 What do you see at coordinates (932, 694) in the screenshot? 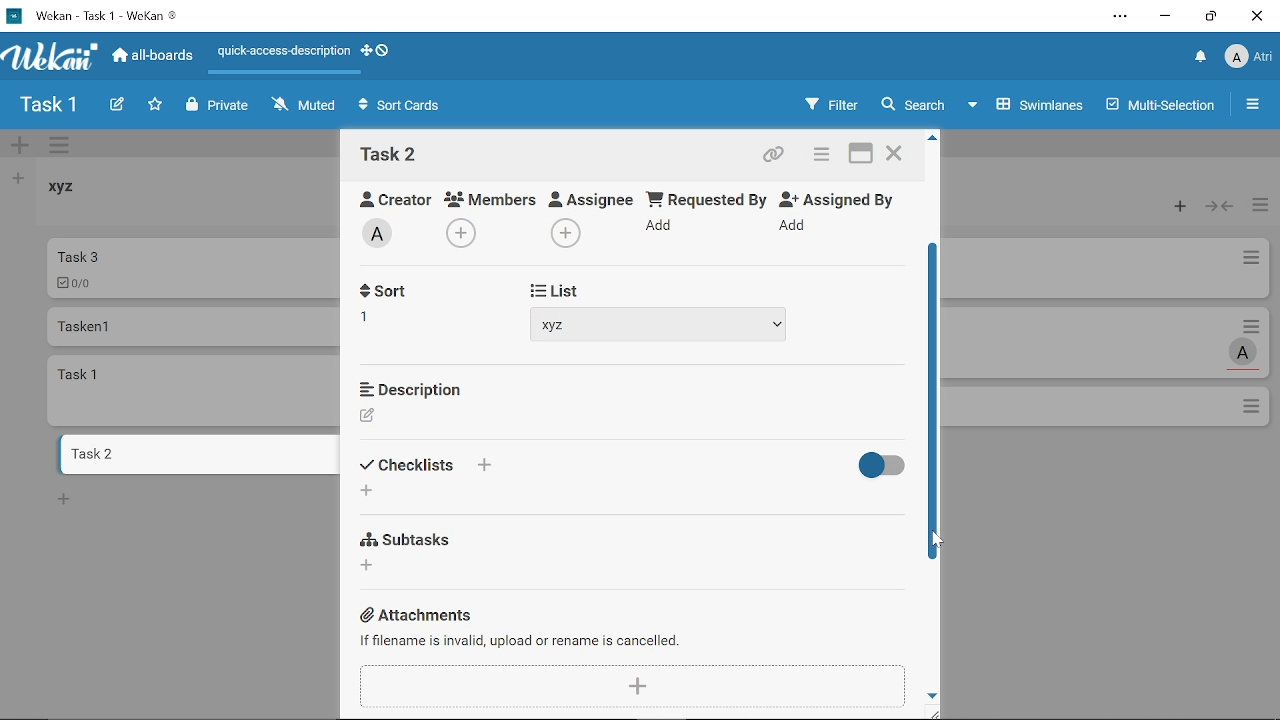
I see `move down` at bounding box center [932, 694].